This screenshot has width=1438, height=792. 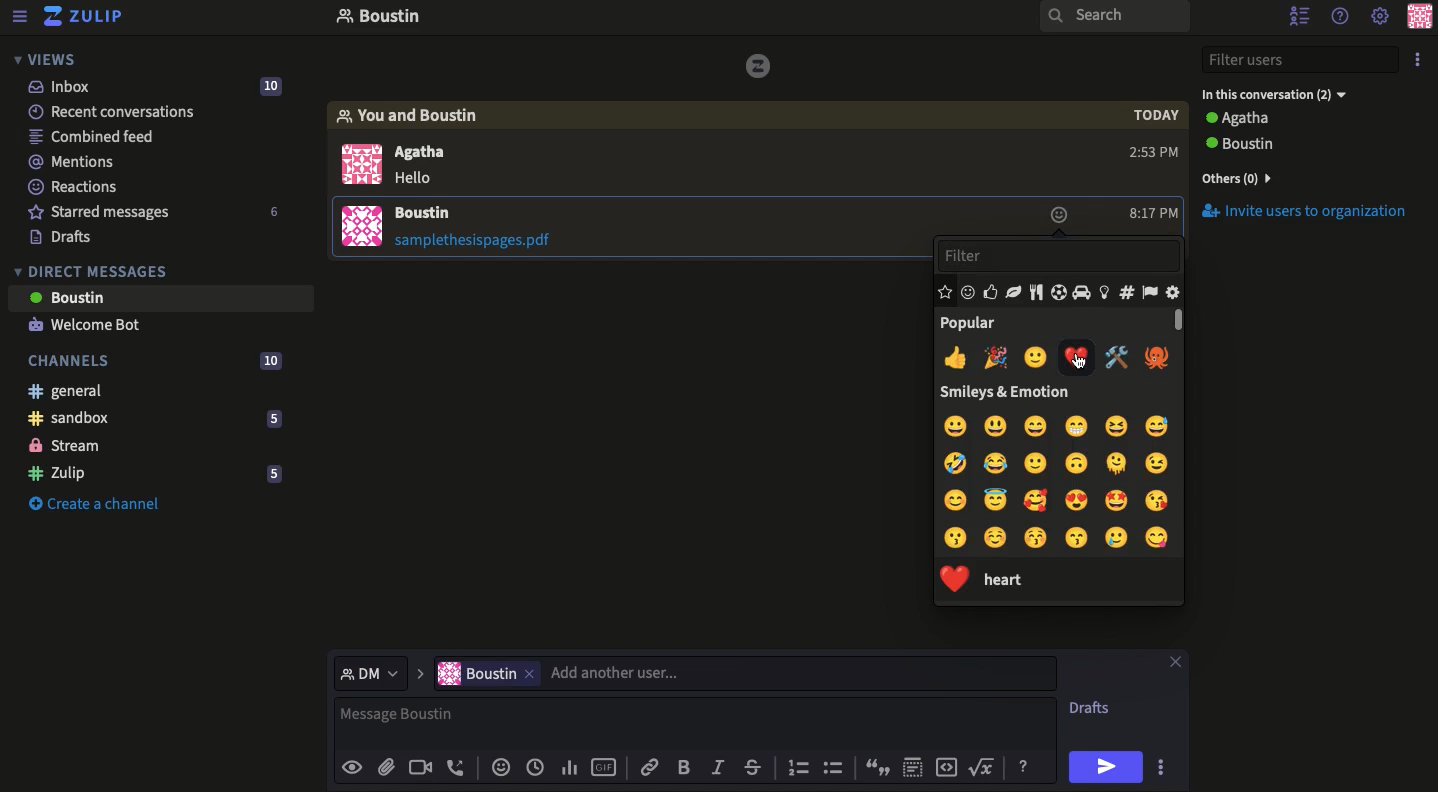 What do you see at coordinates (48, 58) in the screenshot?
I see `Views` at bounding box center [48, 58].